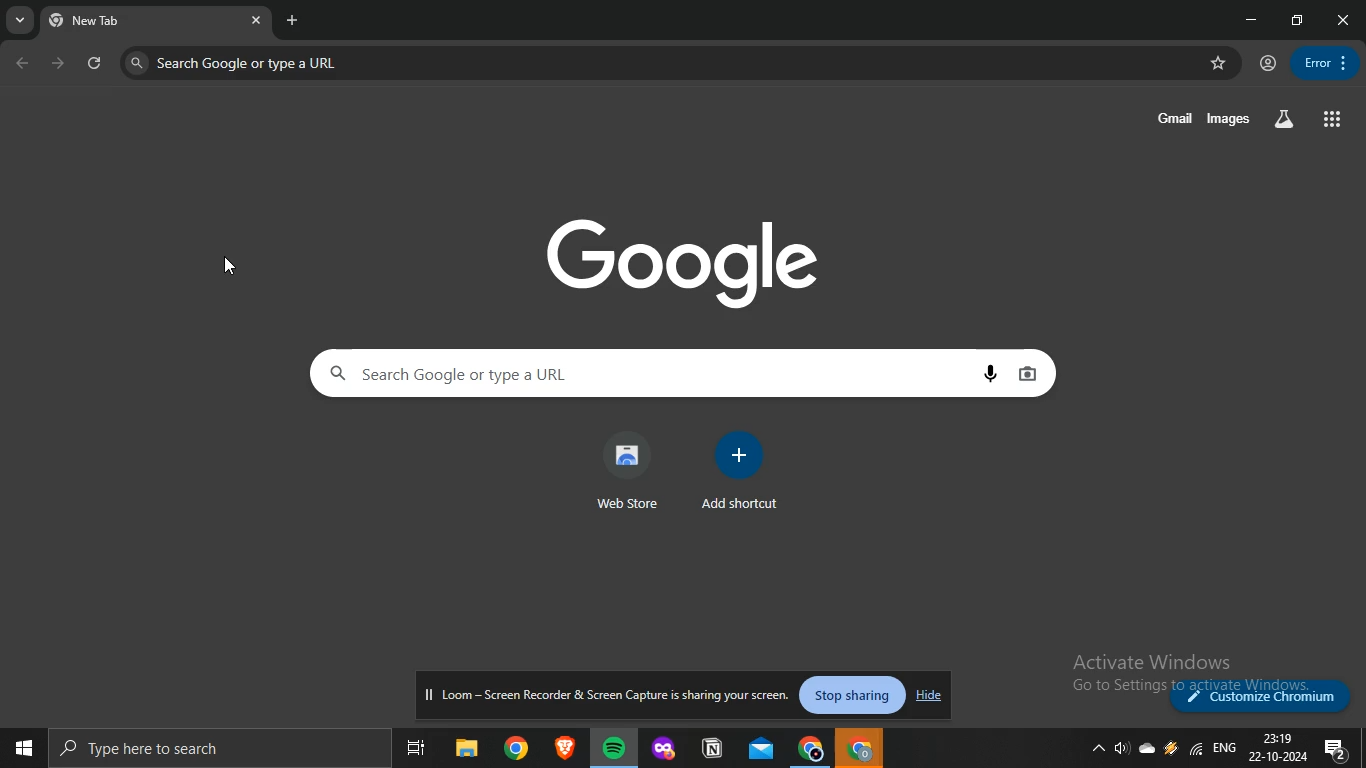 This screenshot has width=1366, height=768. What do you see at coordinates (855, 697) in the screenshot?
I see `Stop sharing` at bounding box center [855, 697].